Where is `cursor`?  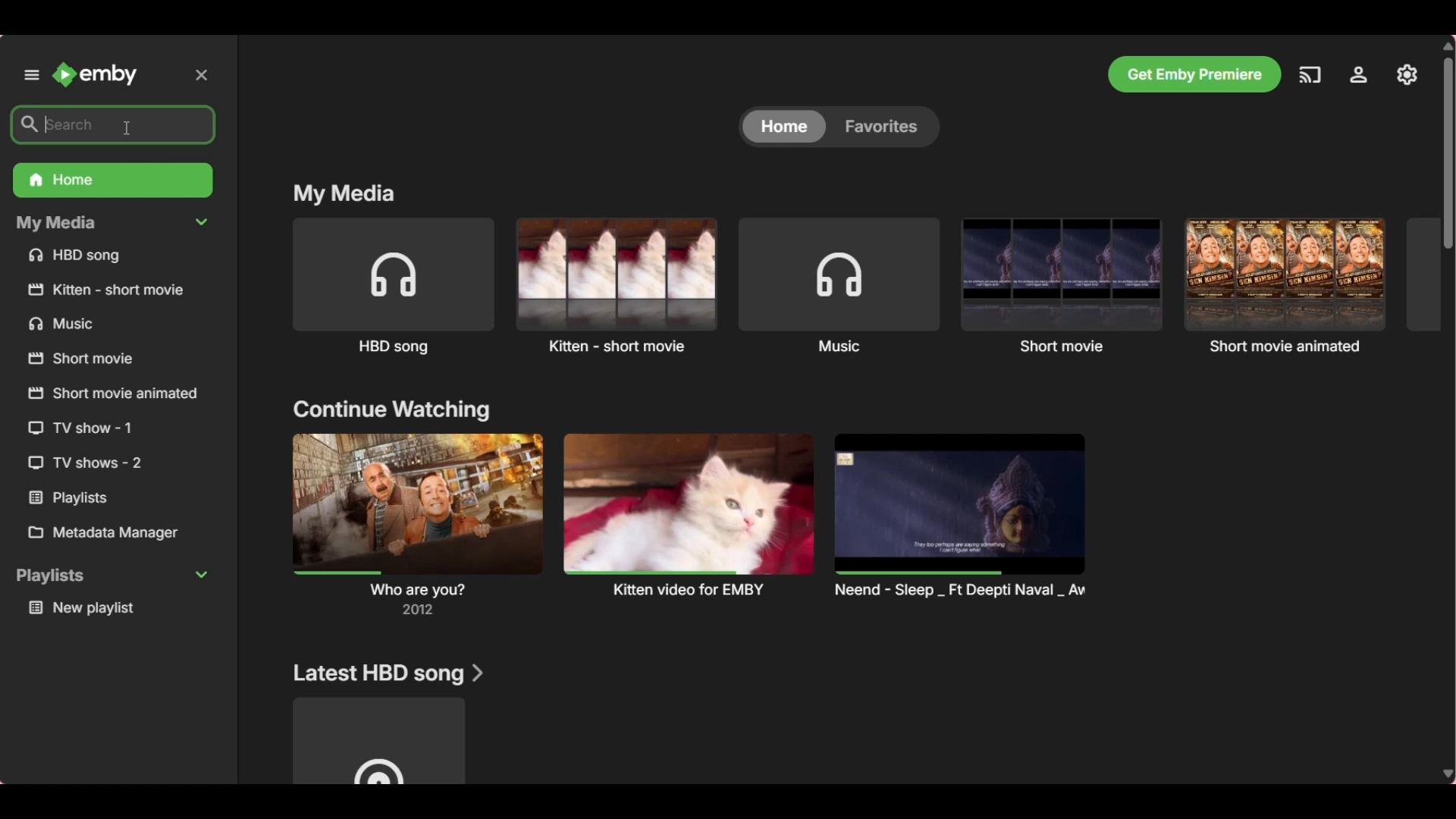 cursor is located at coordinates (130, 125).